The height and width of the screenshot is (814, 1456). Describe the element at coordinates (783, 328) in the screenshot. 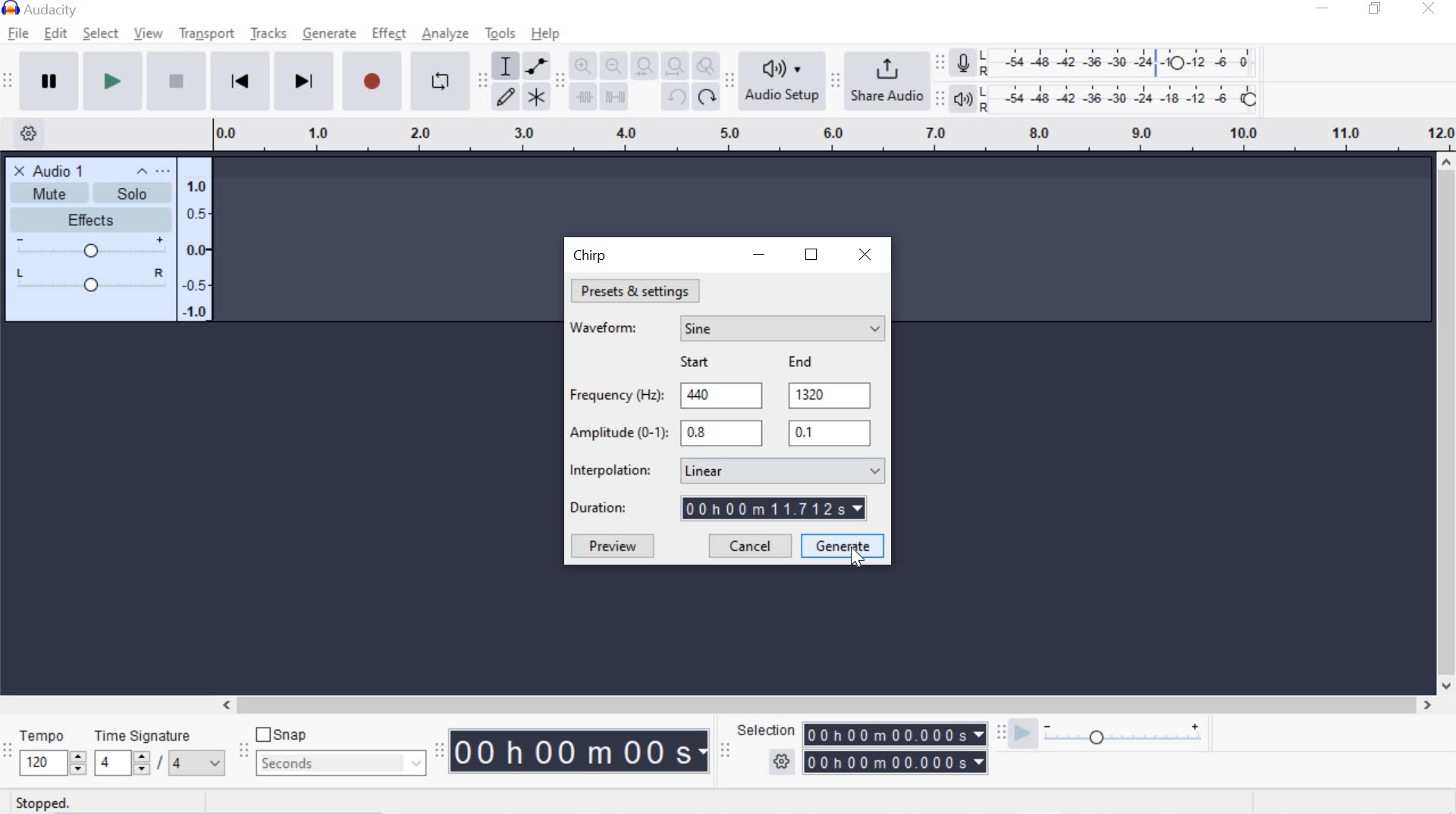

I see `Waveform field` at that location.